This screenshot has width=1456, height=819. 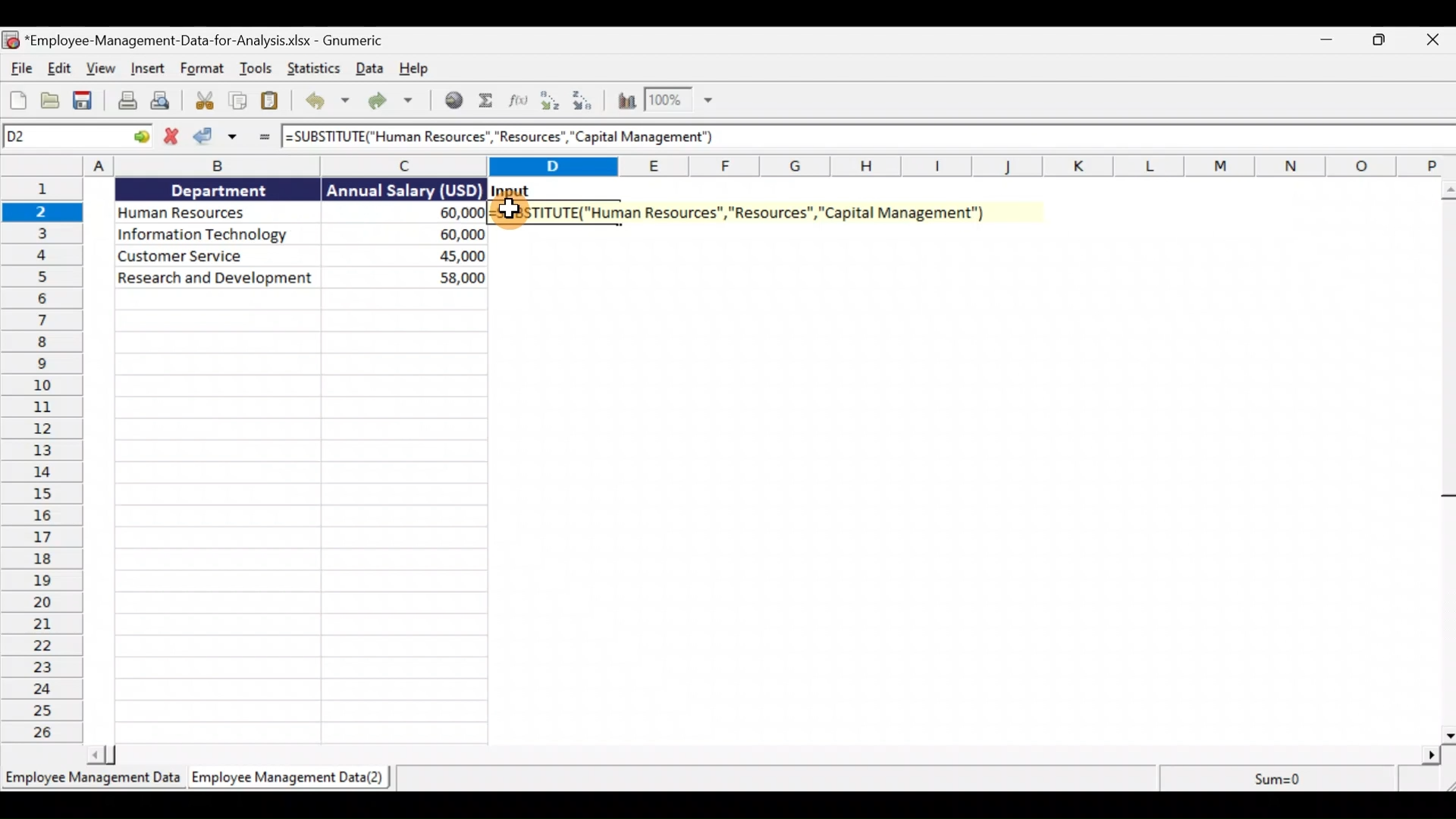 What do you see at coordinates (315, 70) in the screenshot?
I see `Statistics` at bounding box center [315, 70].